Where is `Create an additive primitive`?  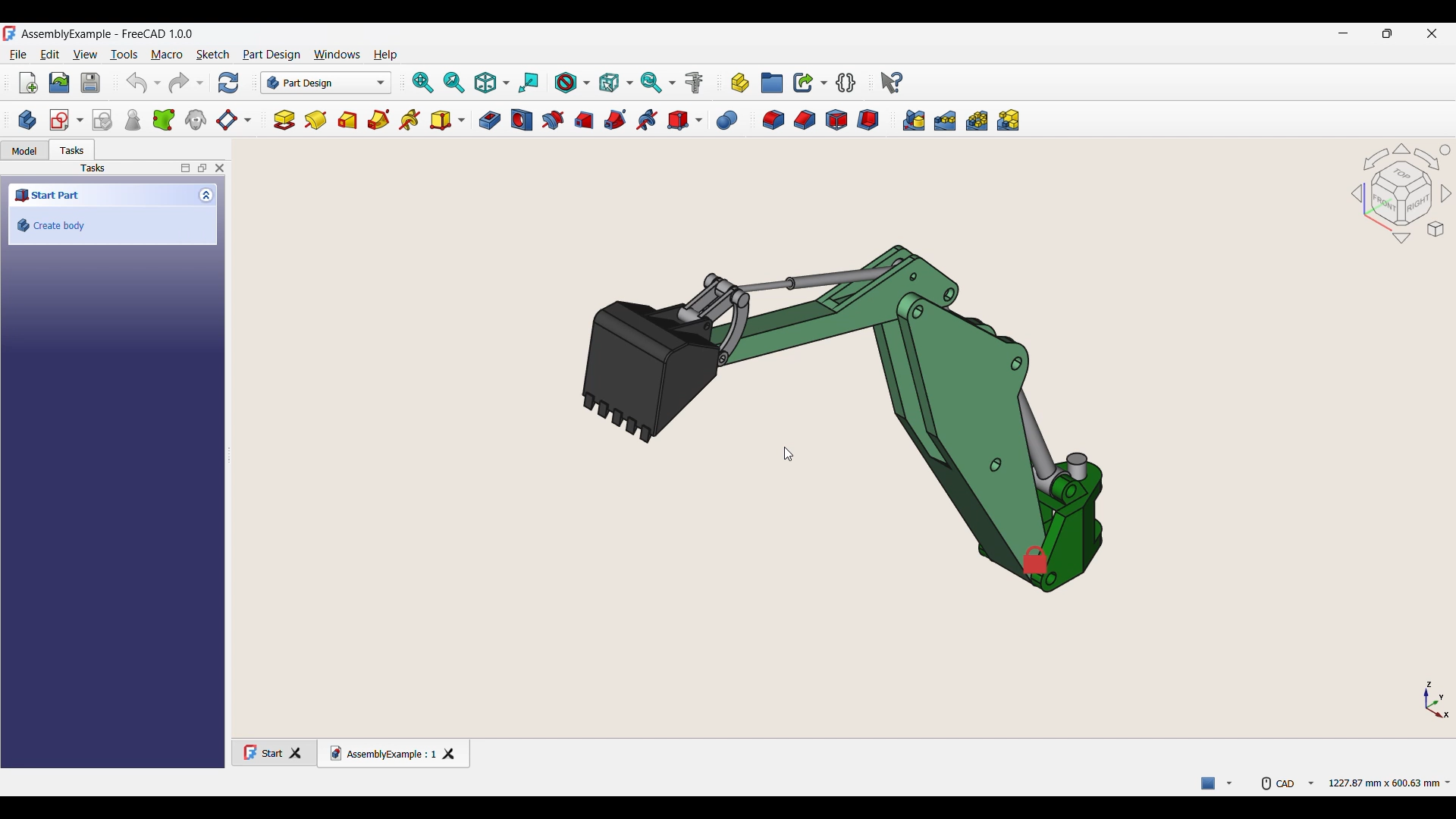
Create an additive primitive is located at coordinates (448, 121).